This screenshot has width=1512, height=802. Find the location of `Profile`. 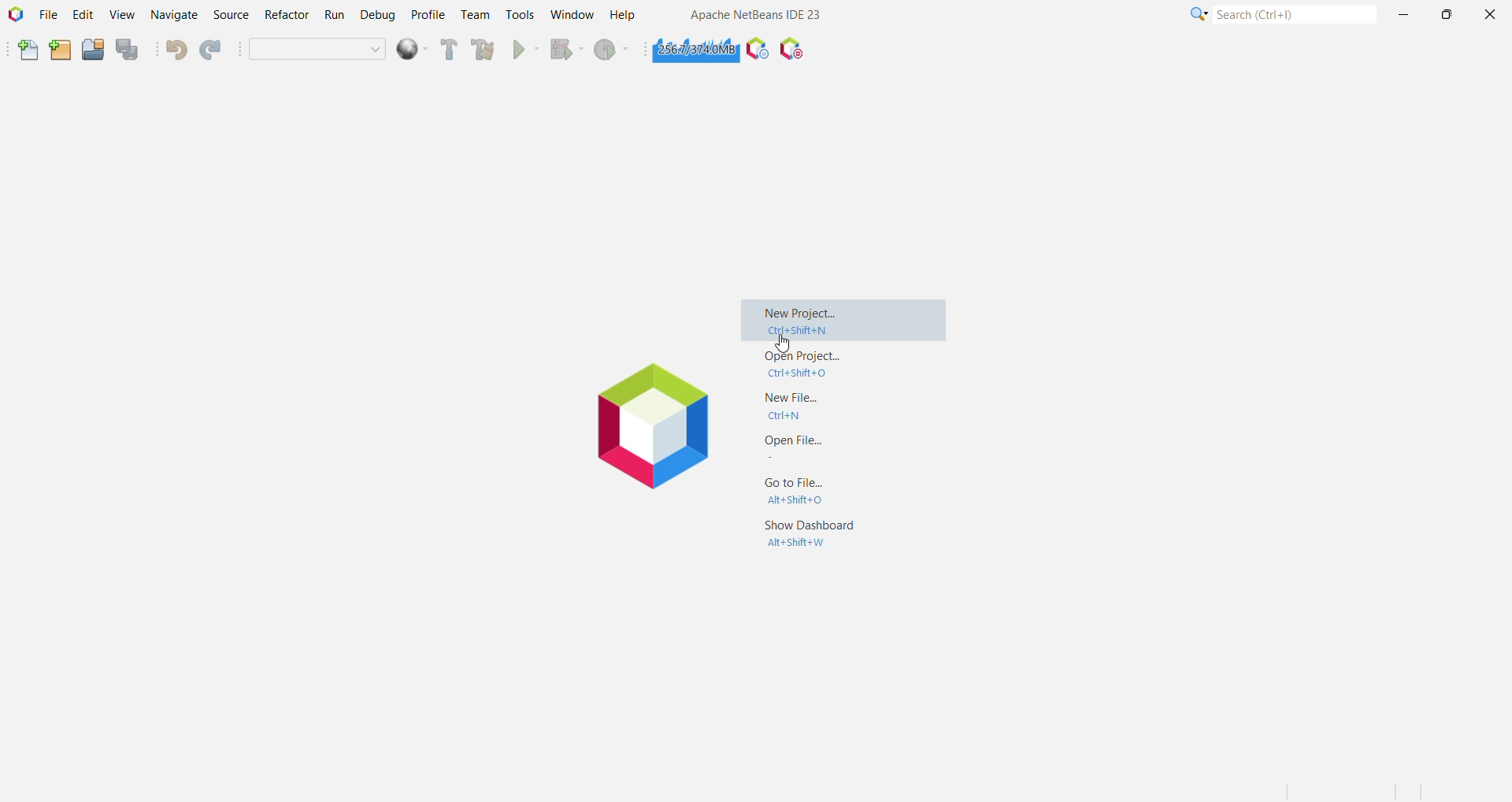

Profile is located at coordinates (427, 15).